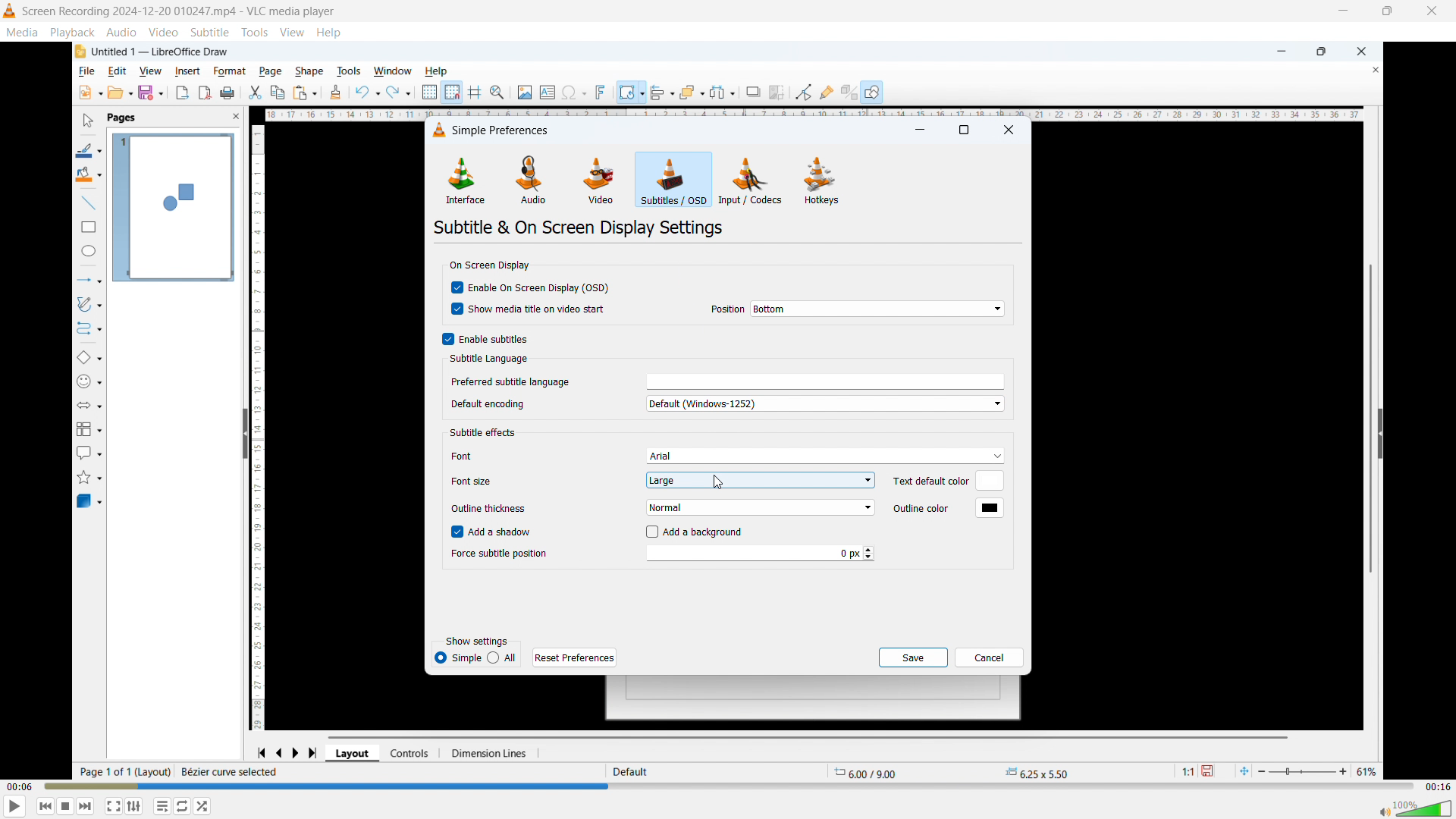 The image size is (1456, 819). What do you see at coordinates (530, 309) in the screenshot?
I see `show media title and video start ` at bounding box center [530, 309].